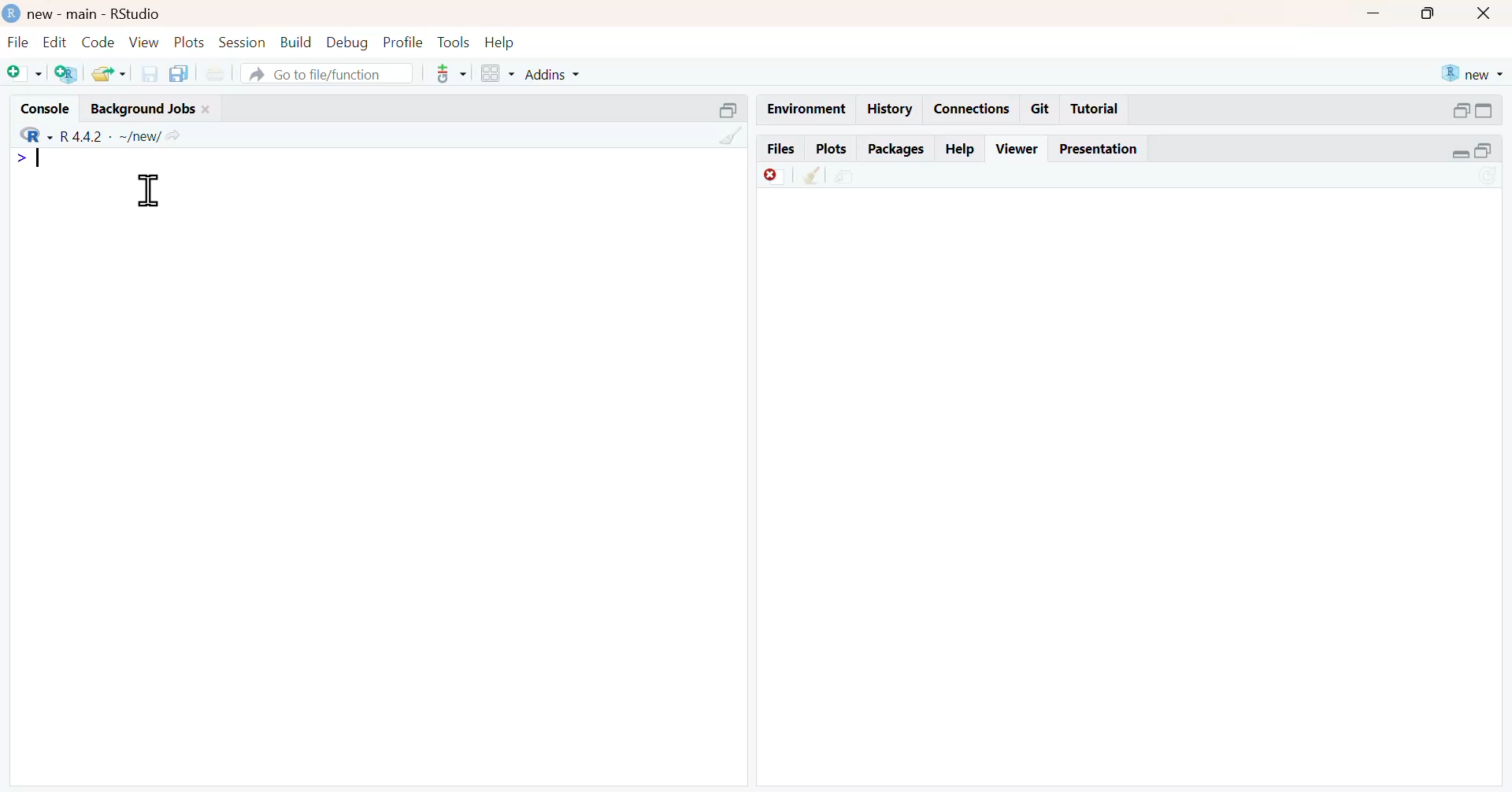 This screenshot has height=792, width=1512. I want to click on R 4.4.2 . ~/new/, so click(111, 134).